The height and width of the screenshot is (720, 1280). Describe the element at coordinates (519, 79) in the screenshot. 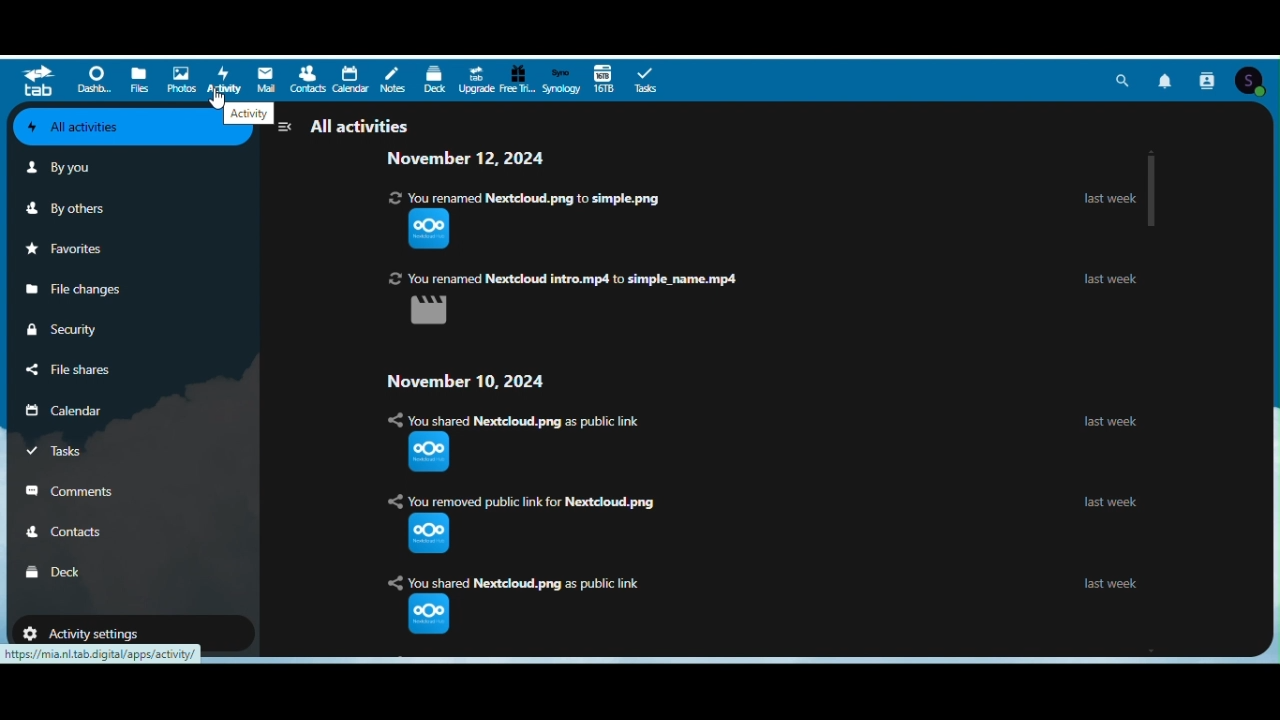

I see `Free trial` at that location.